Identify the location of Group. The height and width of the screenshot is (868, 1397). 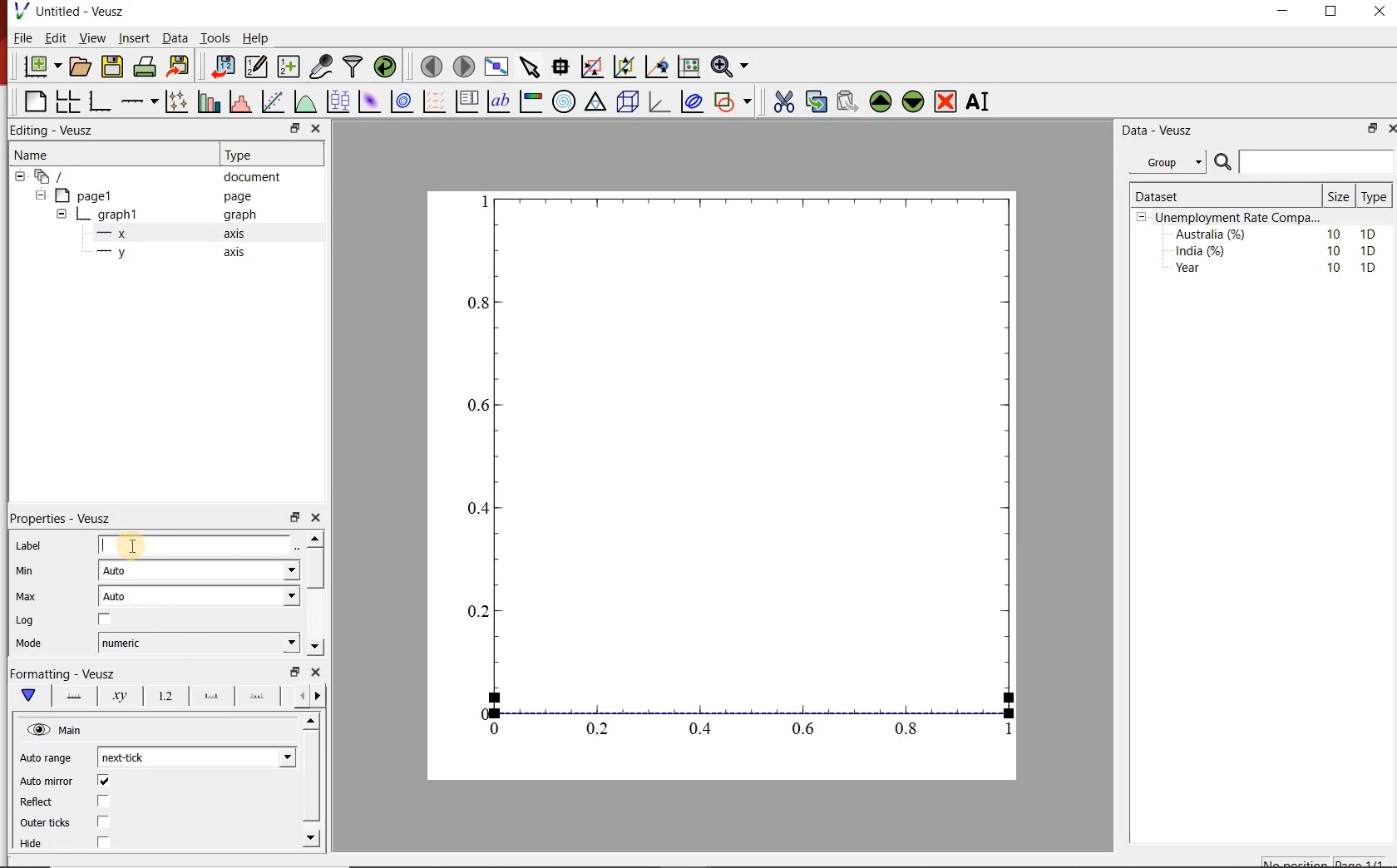
(1170, 162).